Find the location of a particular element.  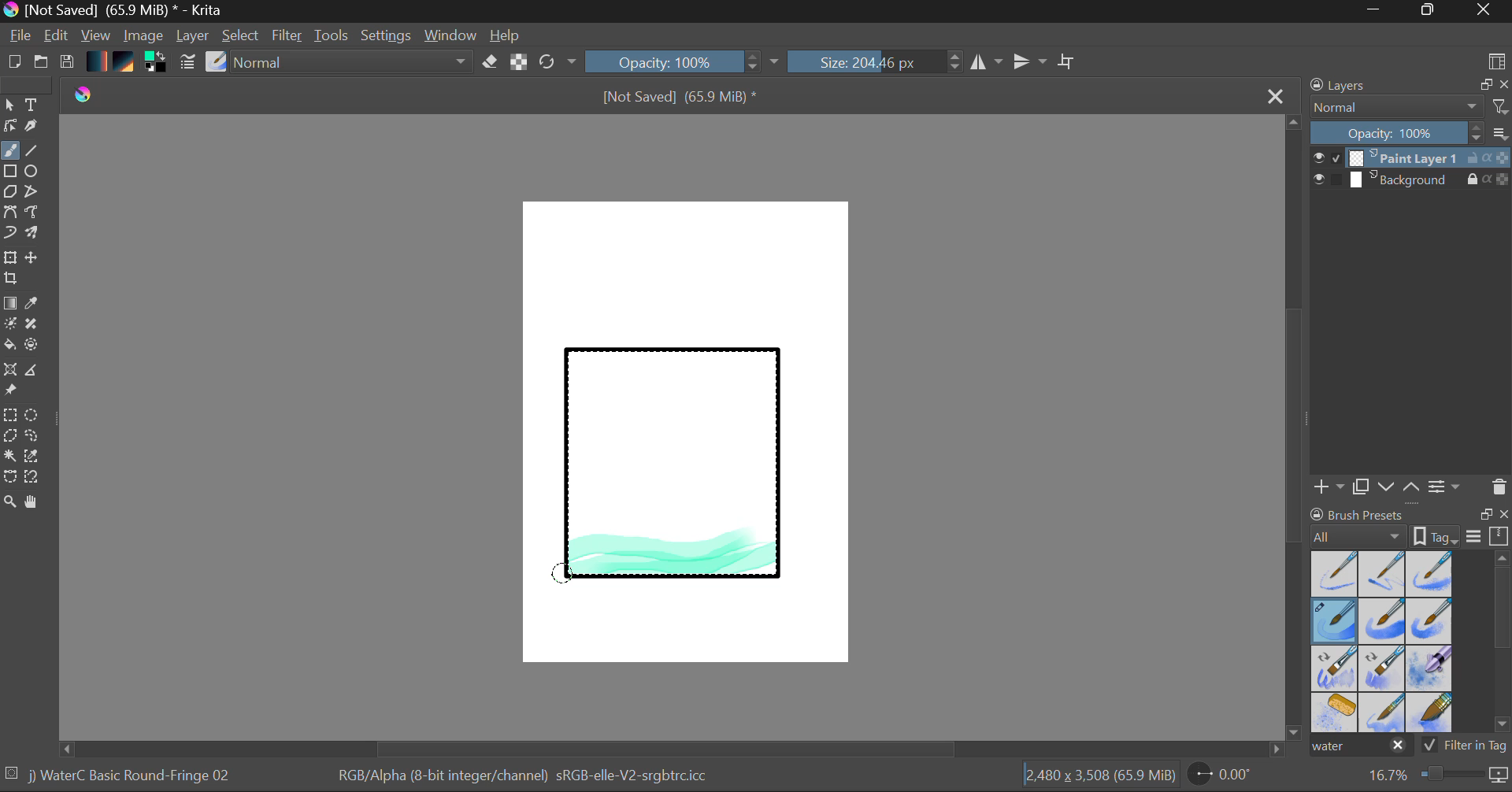

Brush Selected is located at coordinates (132, 777).